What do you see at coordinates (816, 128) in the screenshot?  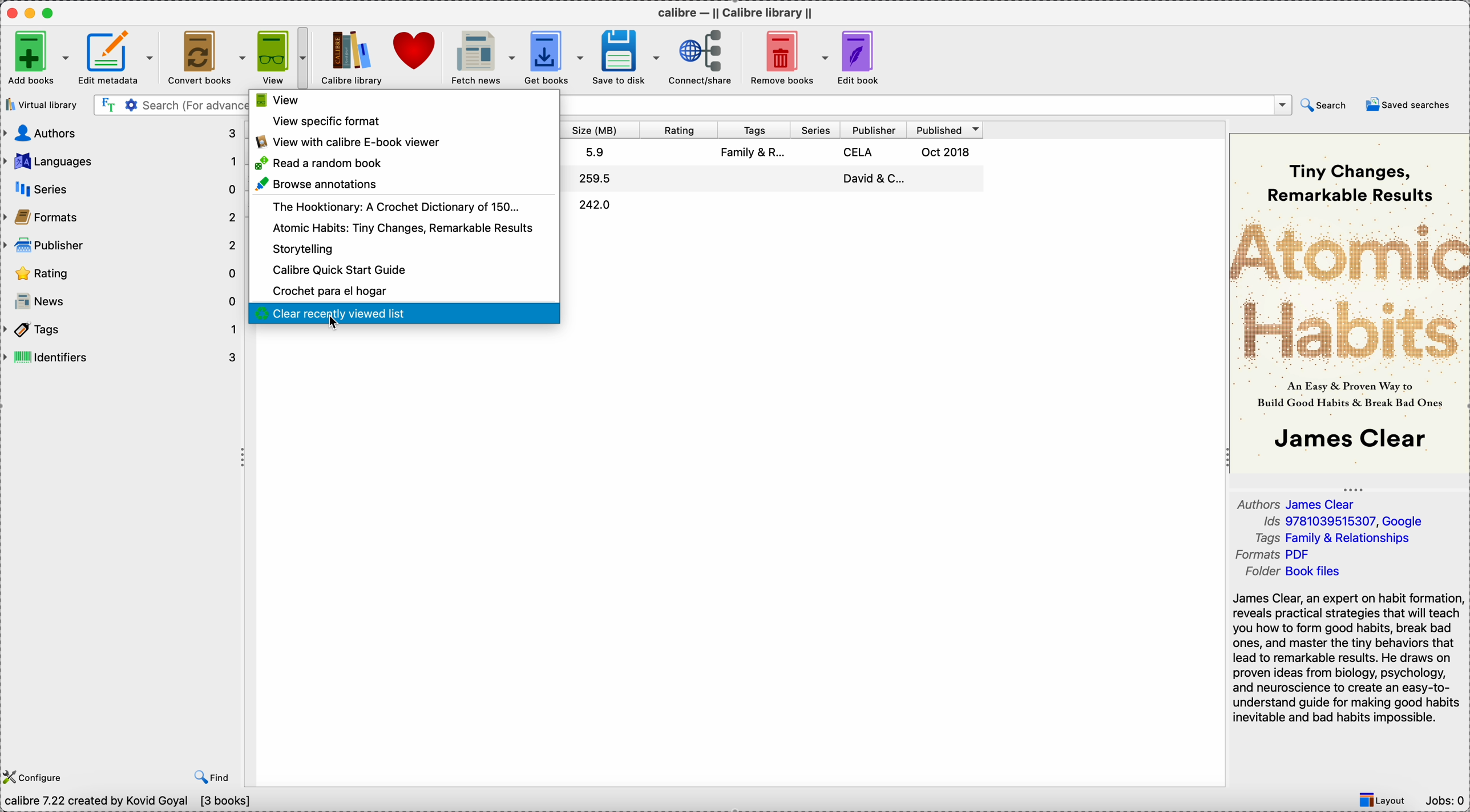 I see `series` at bounding box center [816, 128].